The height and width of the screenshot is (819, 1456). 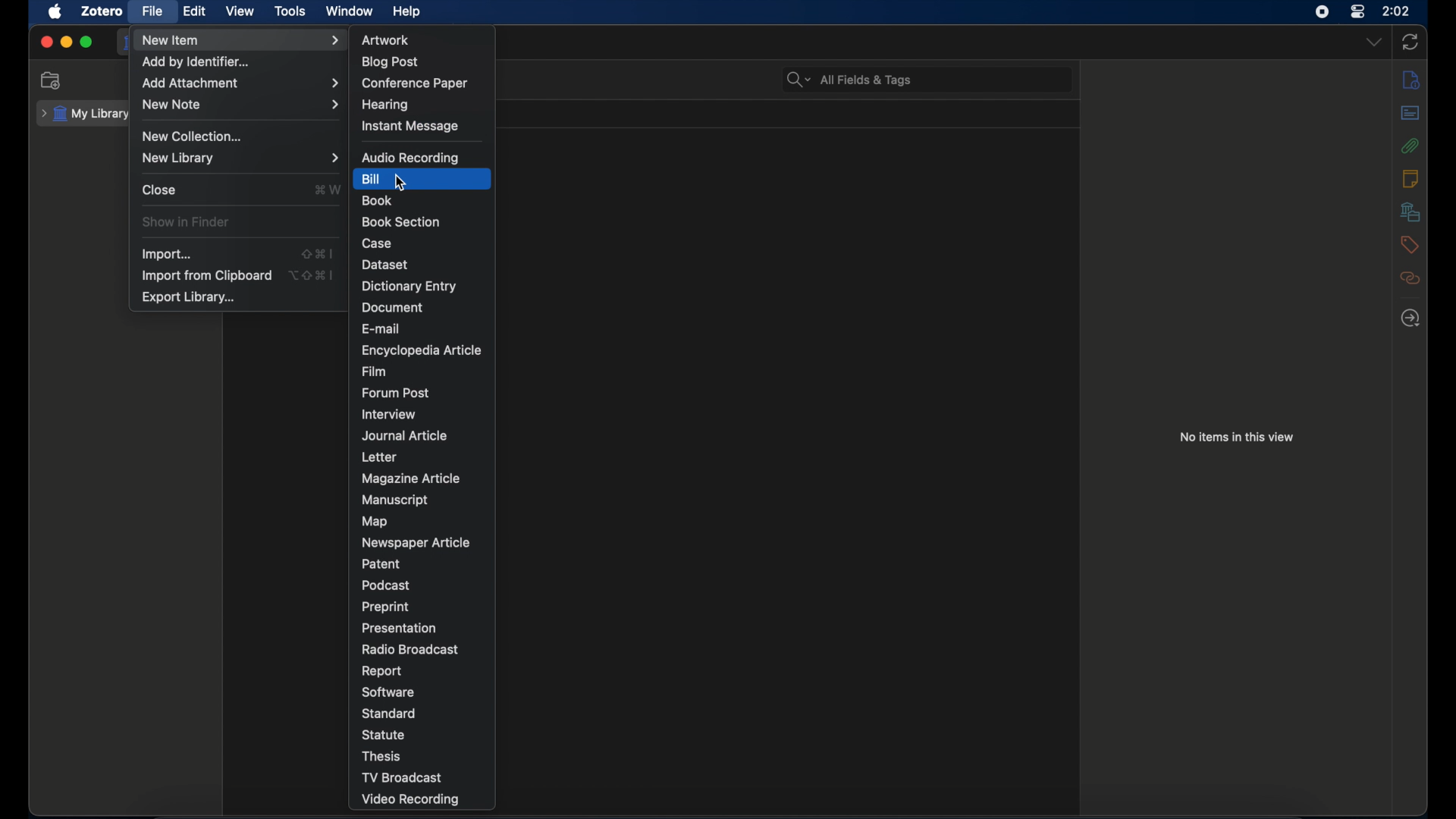 I want to click on new note, so click(x=241, y=105).